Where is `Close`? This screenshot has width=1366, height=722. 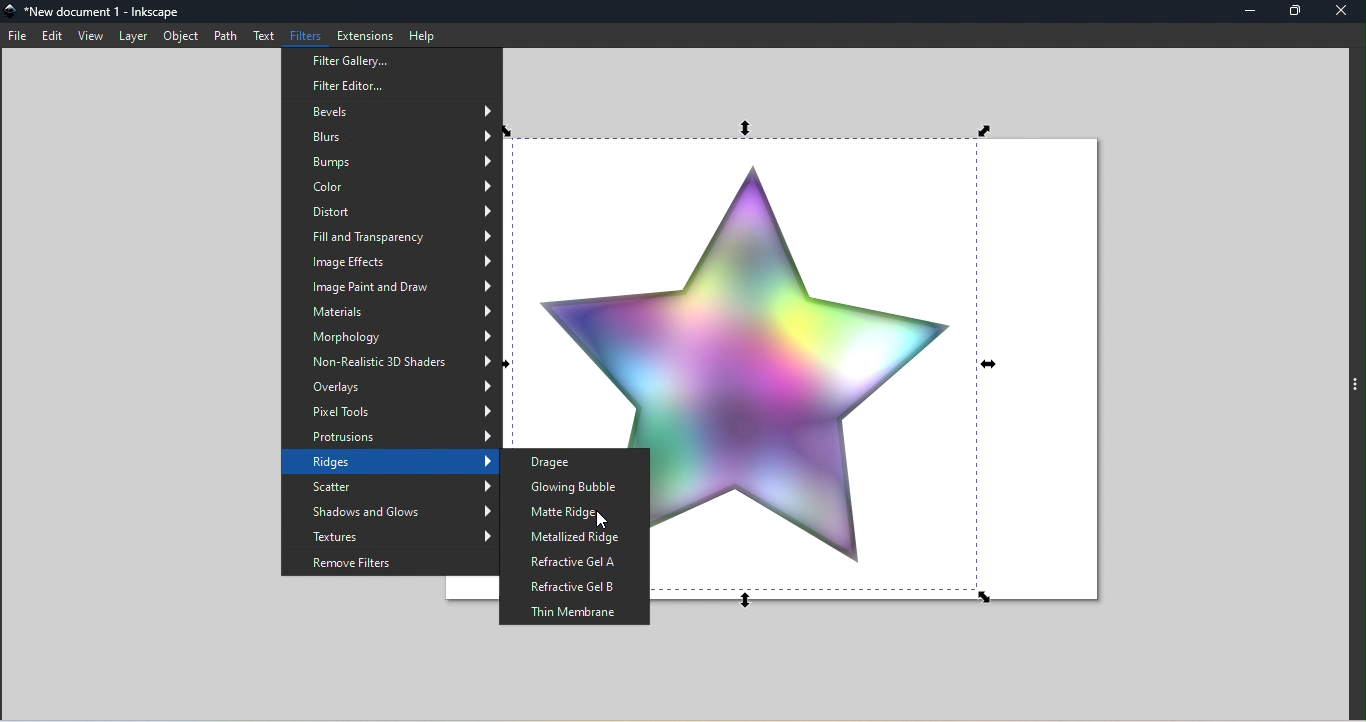 Close is located at coordinates (1342, 12).